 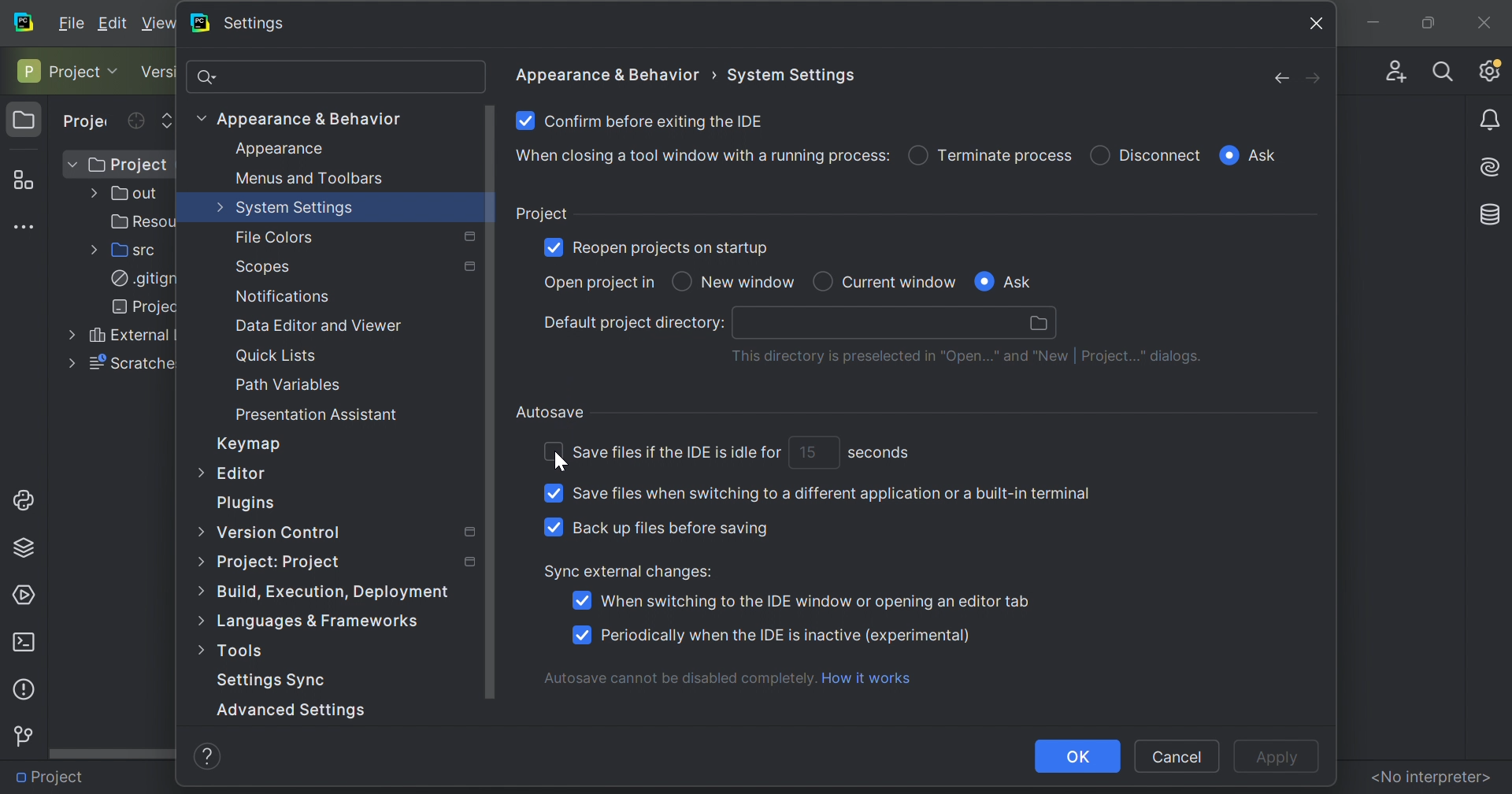 What do you see at coordinates (135, 121) in the screenshot?
I see `Select opened file` at bounding box center [135, 121].